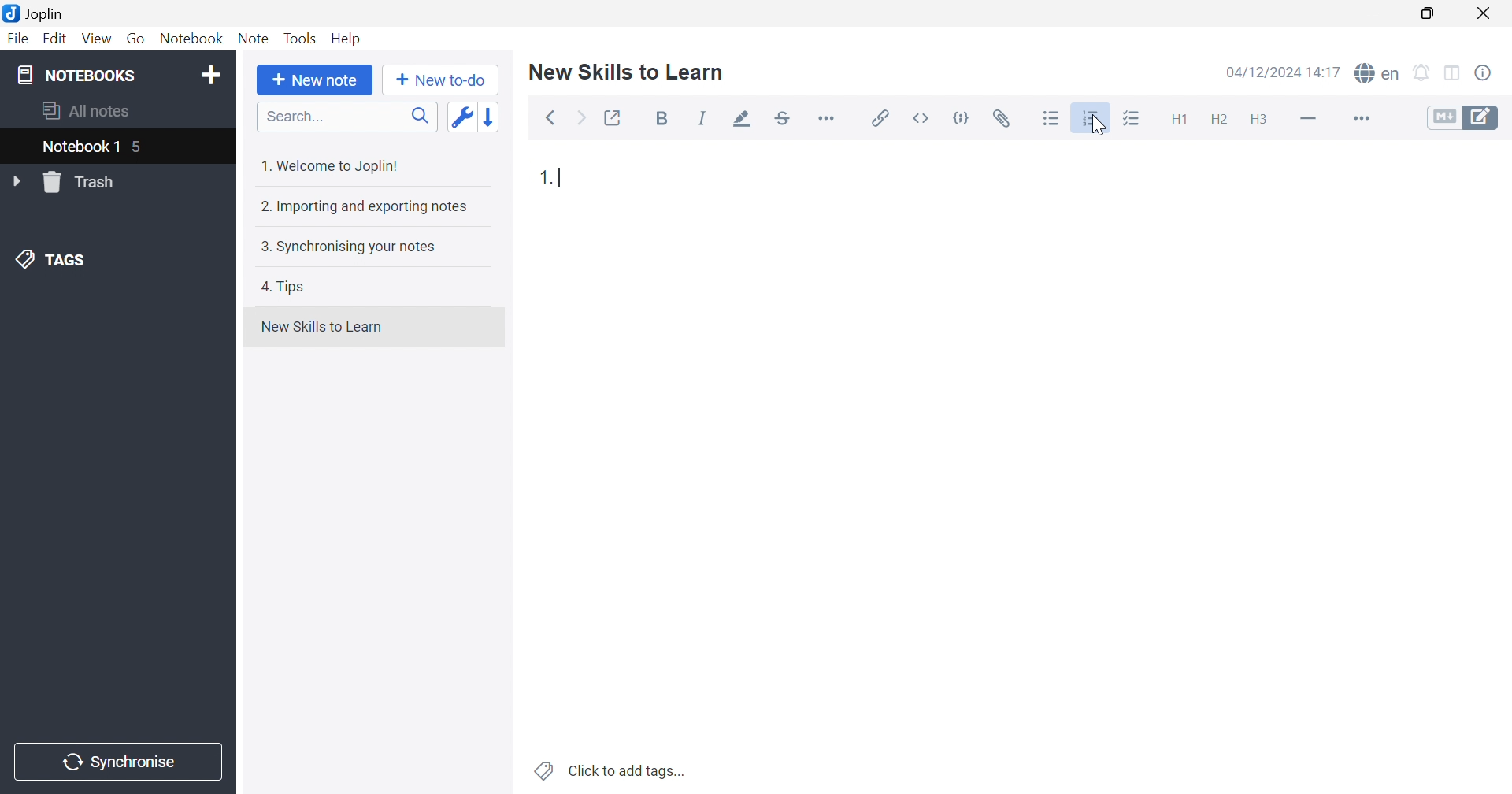 This screenshot has width=1512, height=794. What do you see at coordinates (461, 116) in the screenshot?
I see `Toggle sort order field: custom order -> updated date` at bounding box center [461, 116].